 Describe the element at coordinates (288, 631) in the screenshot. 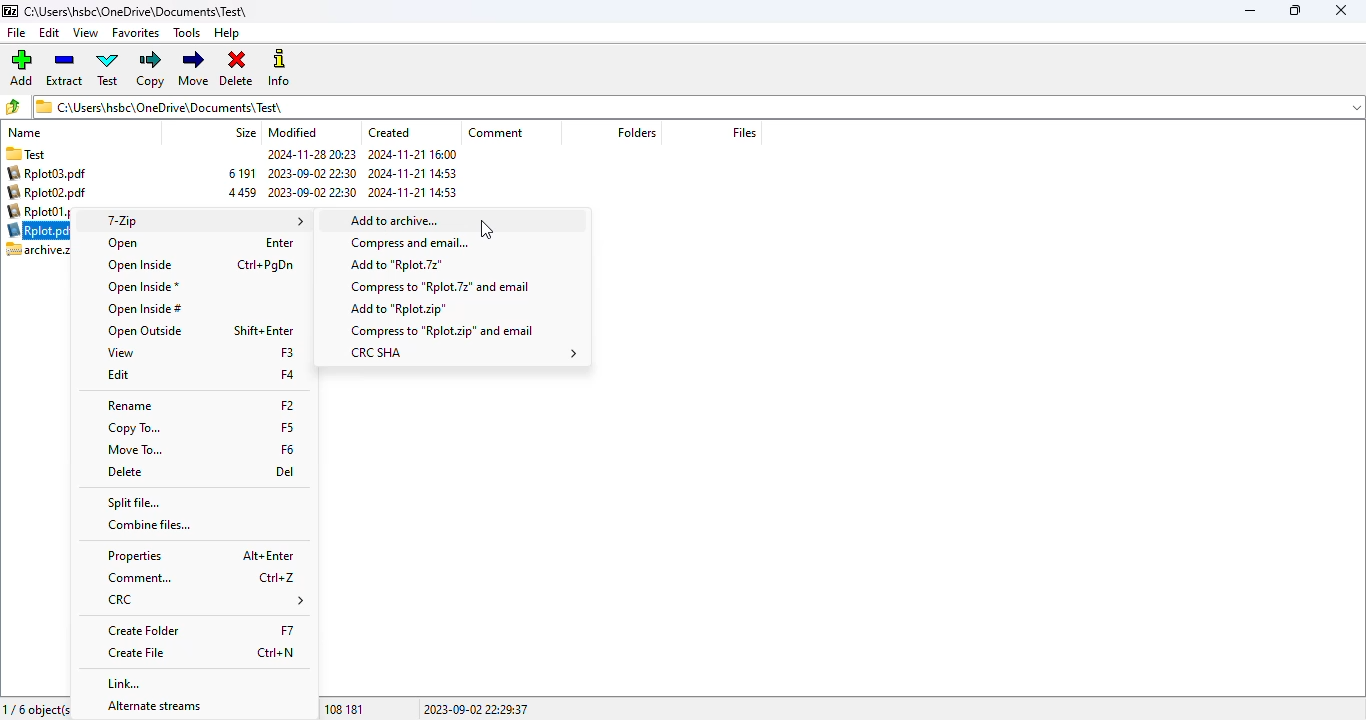

I see `shortcut for create folder` at that location.